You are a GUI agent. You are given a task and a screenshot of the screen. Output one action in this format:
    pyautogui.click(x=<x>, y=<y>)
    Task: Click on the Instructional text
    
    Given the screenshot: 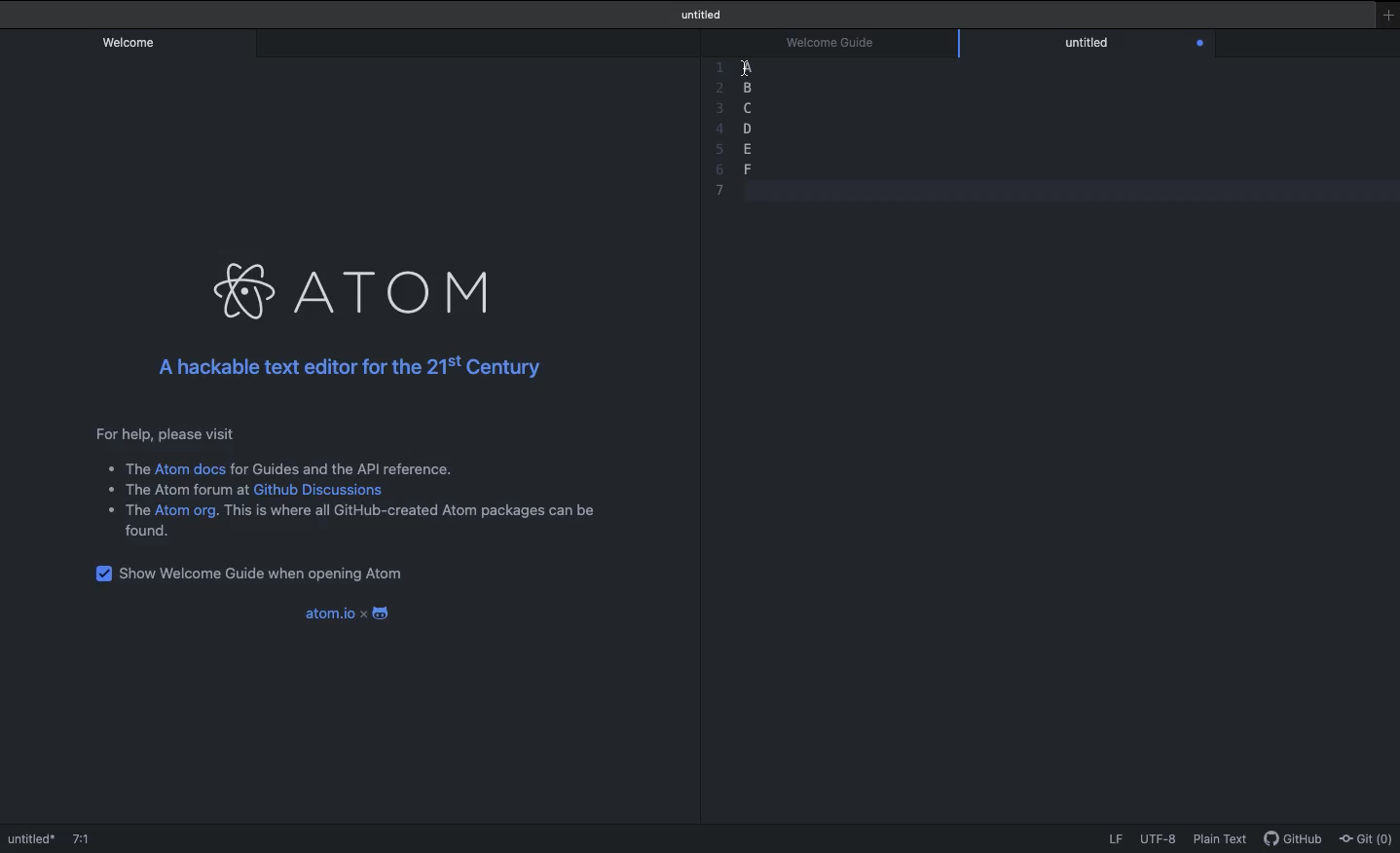 What is the action you would take?
    pyautogui.click(x=341, y=483)
    